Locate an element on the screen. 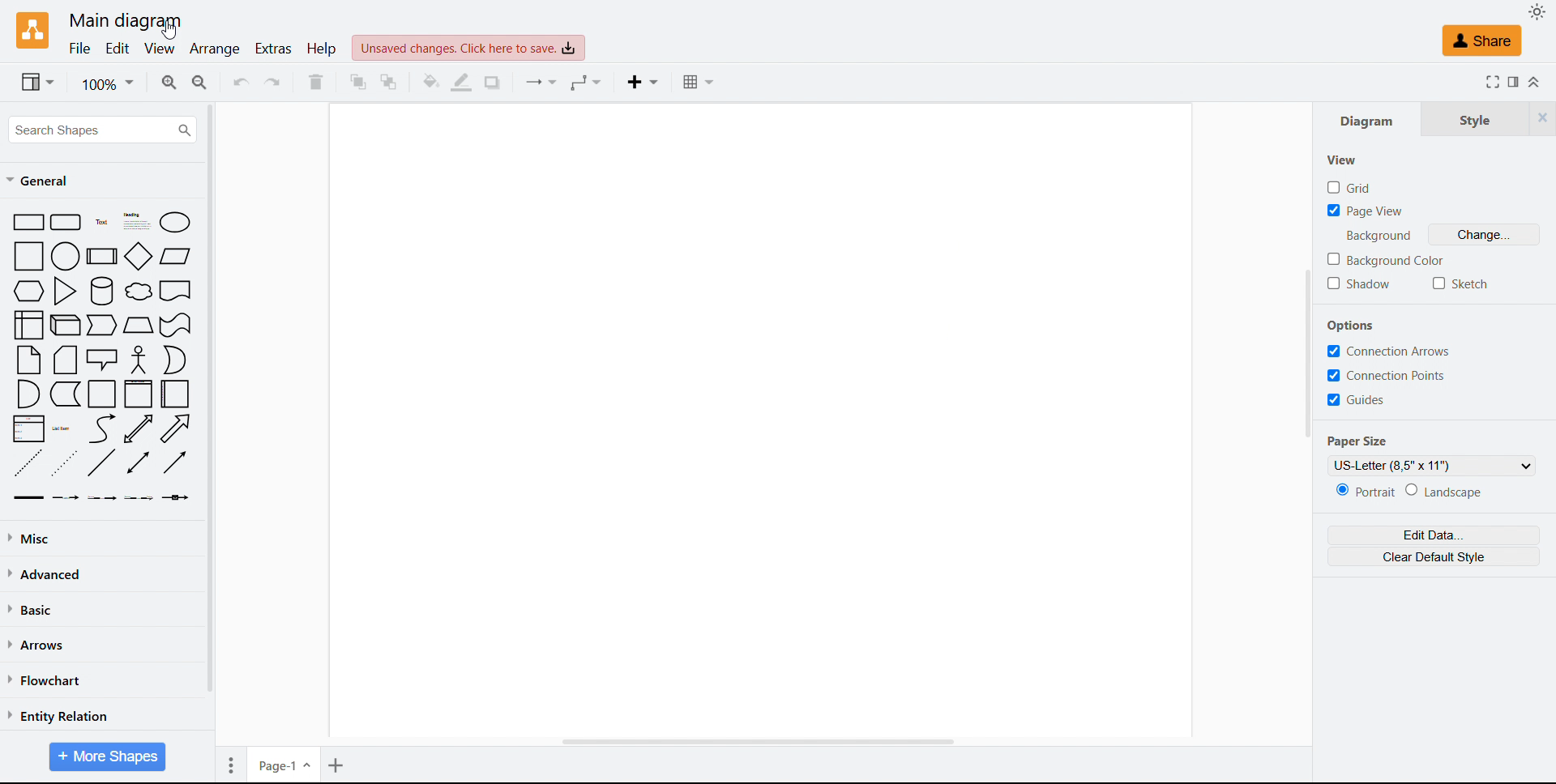 The image size is (1556, 784). Delete  is located at coordinates (316, 82).